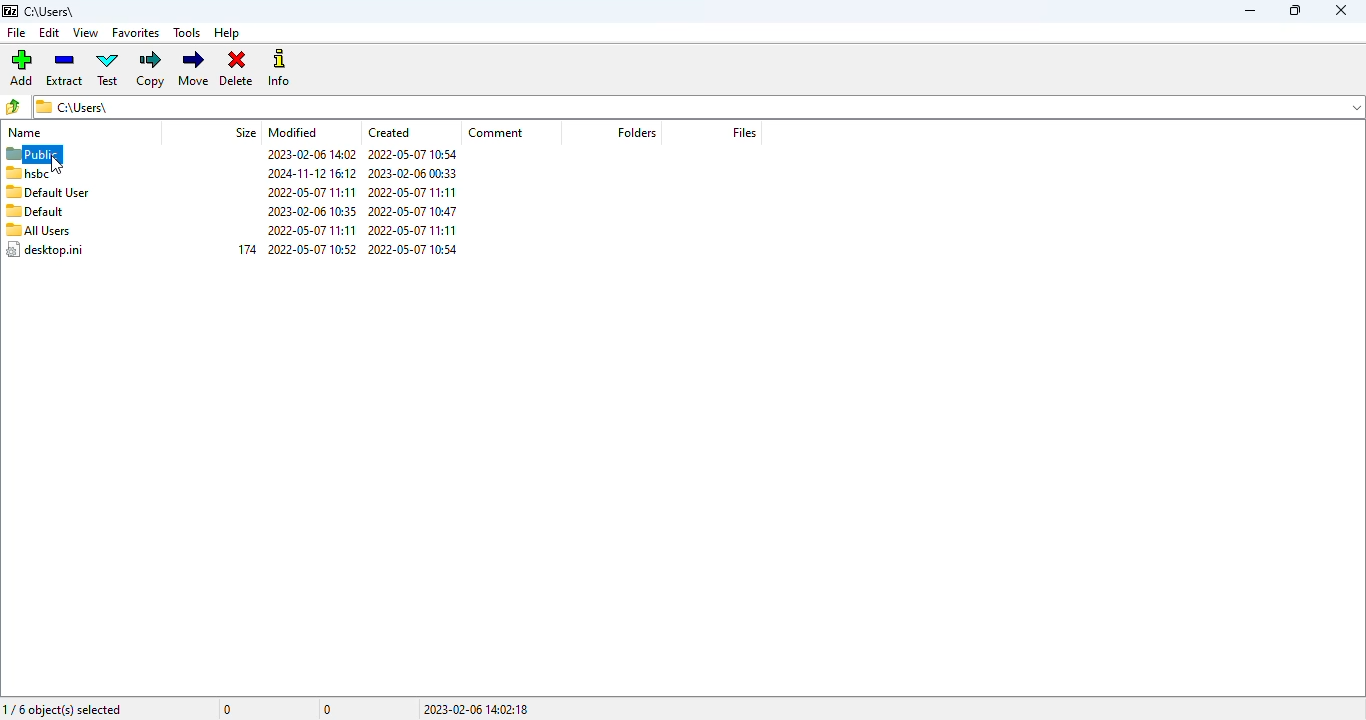 The width and height of the screenshot is (1366, 720). Describe the element at coordinates (305, 230) in the screenshot. I see `2022-05-07 11:11` at that location.